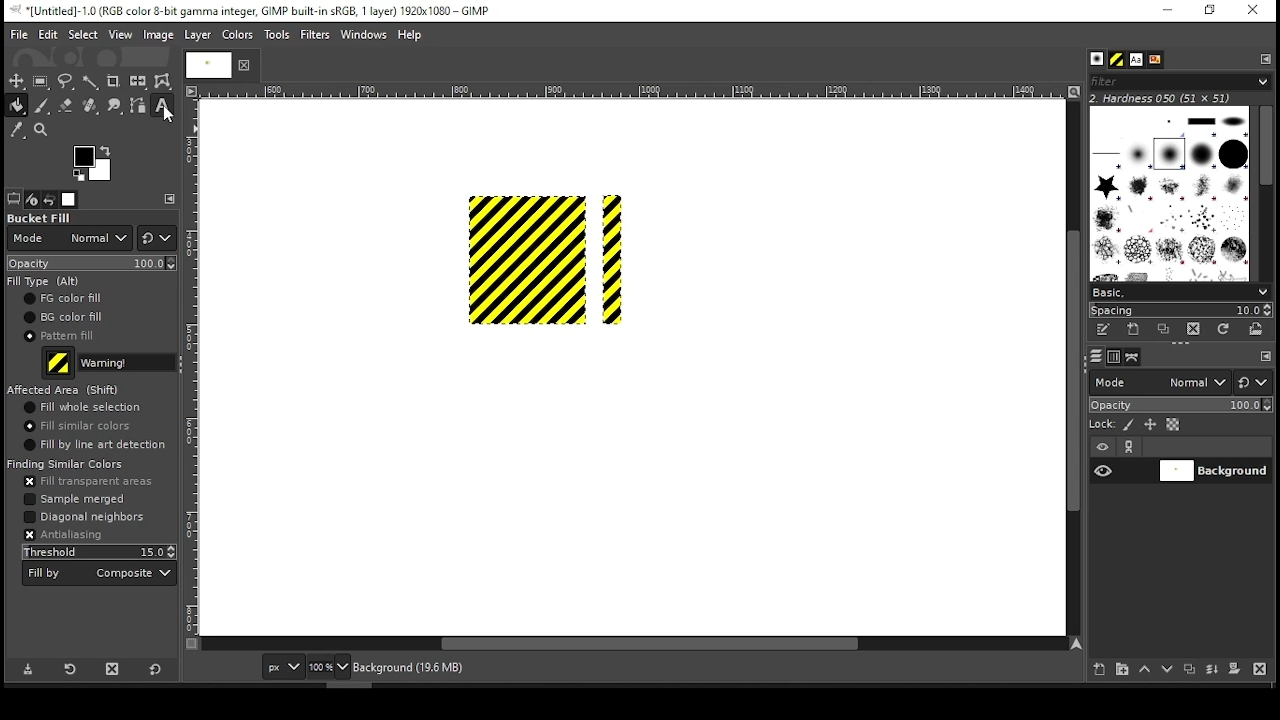 The width and height of the screenshot is (1280, 720). I want to click on color, so click(238, 34).